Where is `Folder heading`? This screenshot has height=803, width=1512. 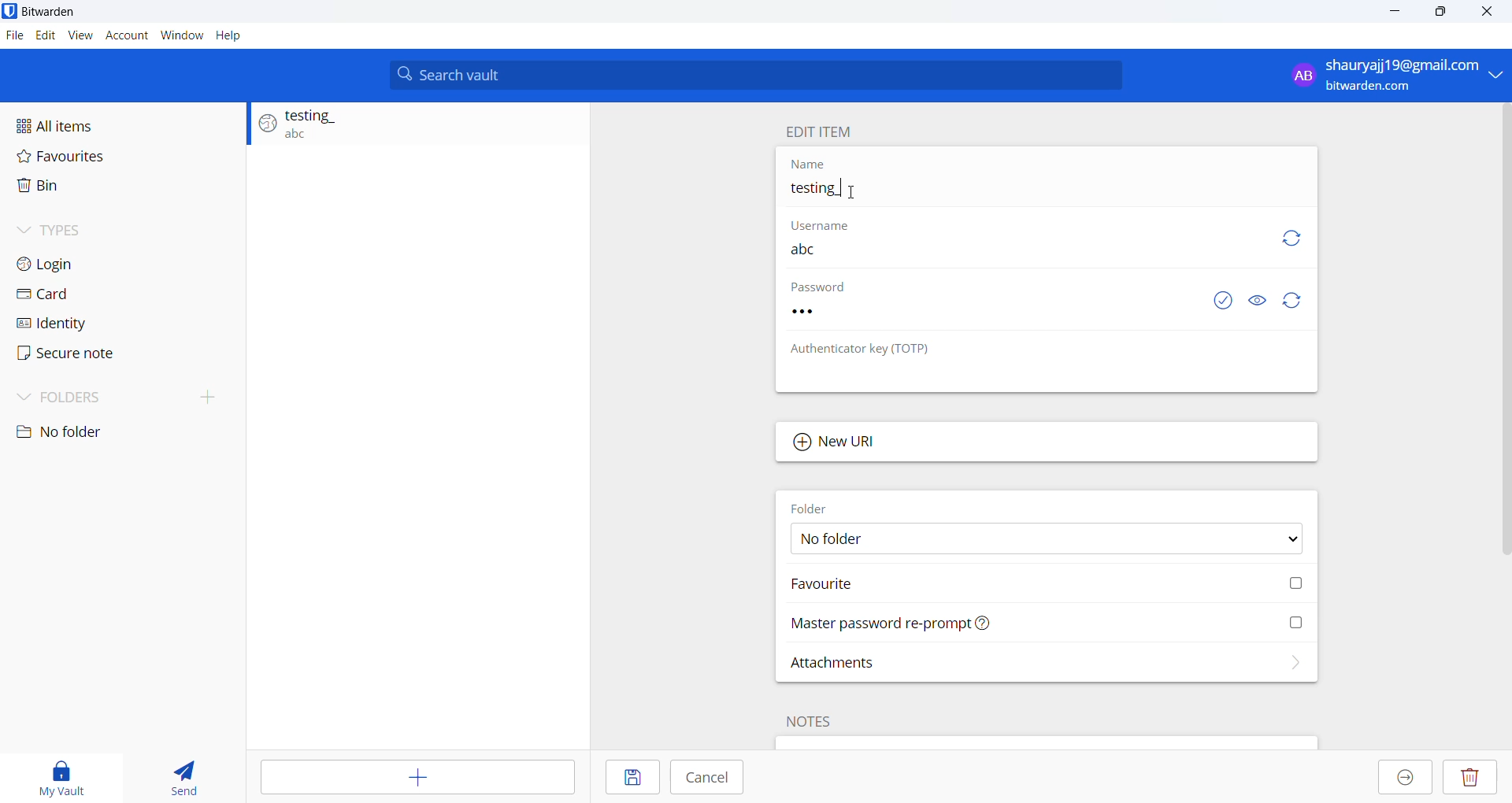 Folder heading is located at coordinates (828, 508).